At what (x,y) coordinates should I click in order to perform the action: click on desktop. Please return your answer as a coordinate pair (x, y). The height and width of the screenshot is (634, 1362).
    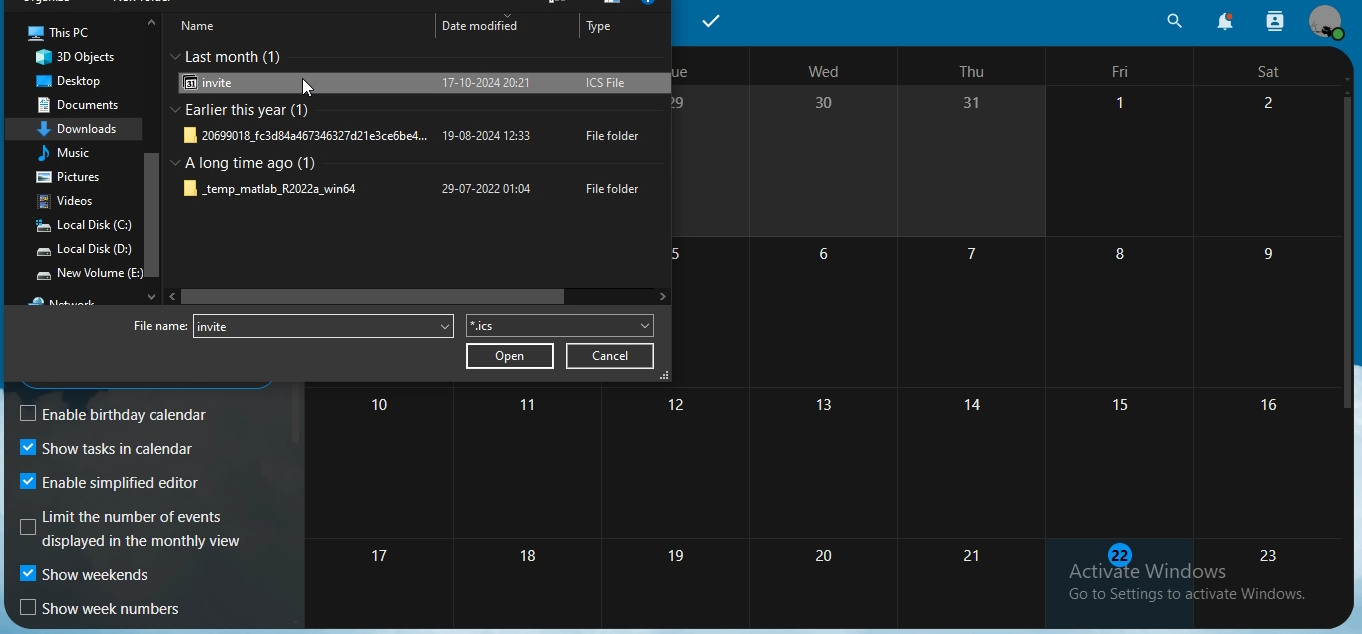
    Looking at the image, I should click on (72, 82).